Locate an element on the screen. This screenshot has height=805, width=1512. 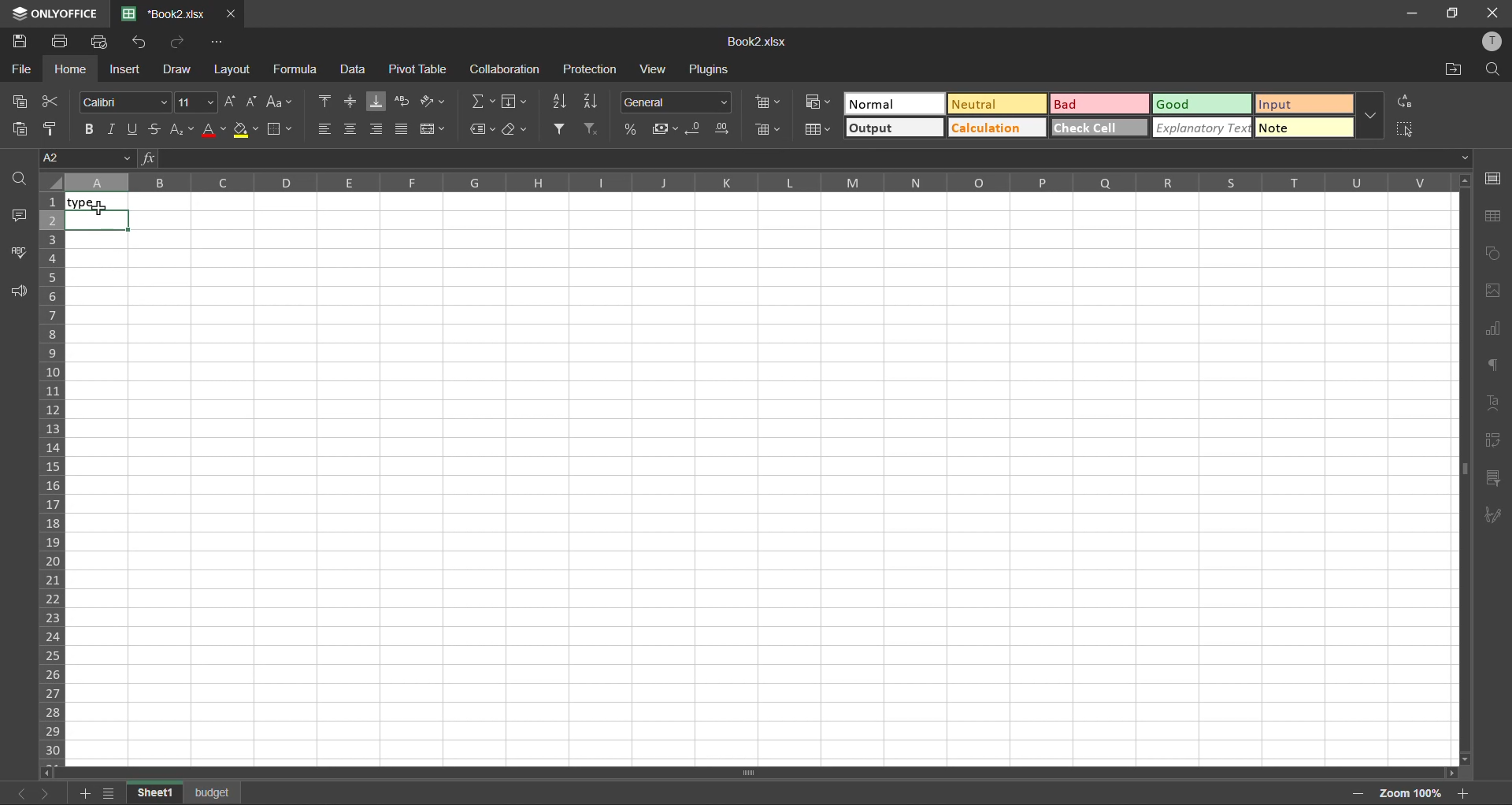
previous is located at coordinates (16, 792).